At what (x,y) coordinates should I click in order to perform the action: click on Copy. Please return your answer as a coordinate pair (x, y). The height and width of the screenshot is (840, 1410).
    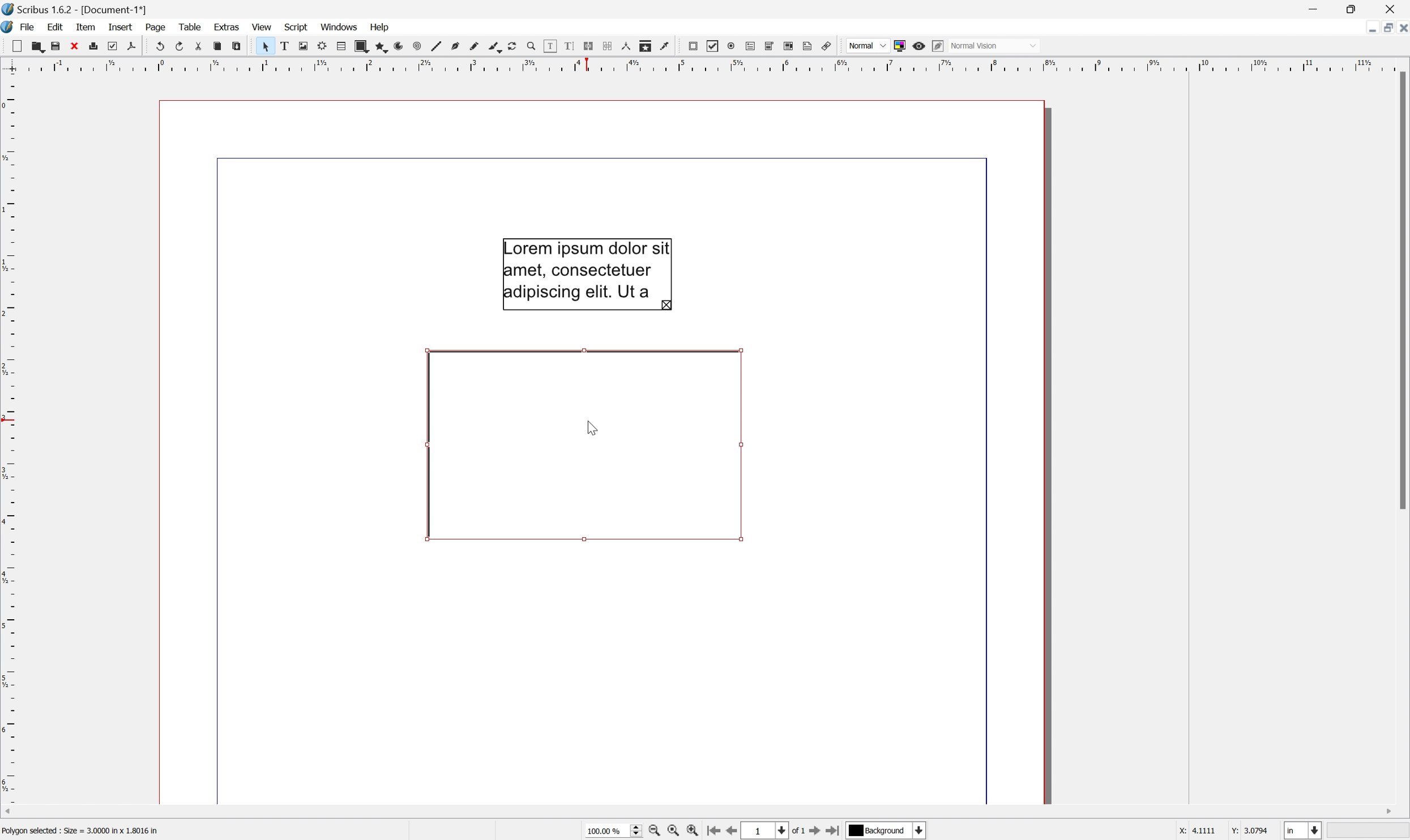
    Looking at the image, I should click on (218, 46).